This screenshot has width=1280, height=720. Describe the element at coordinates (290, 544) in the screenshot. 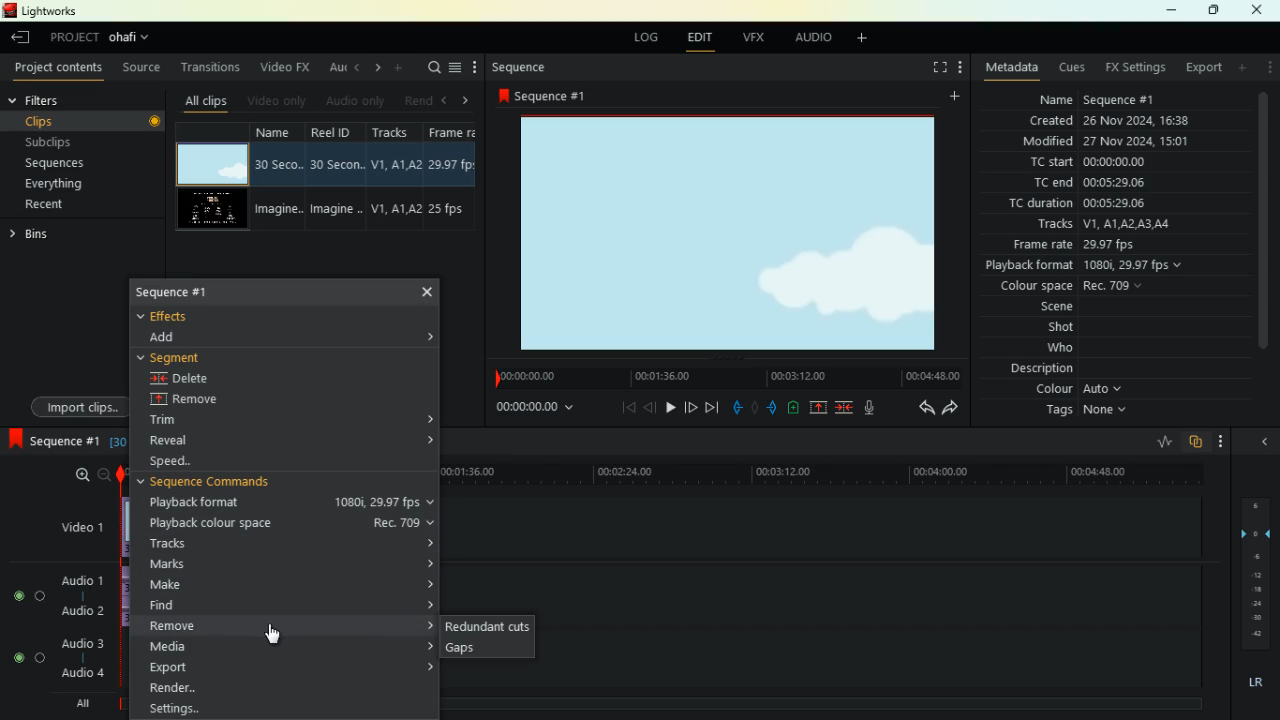

I see `tracks` at that location.